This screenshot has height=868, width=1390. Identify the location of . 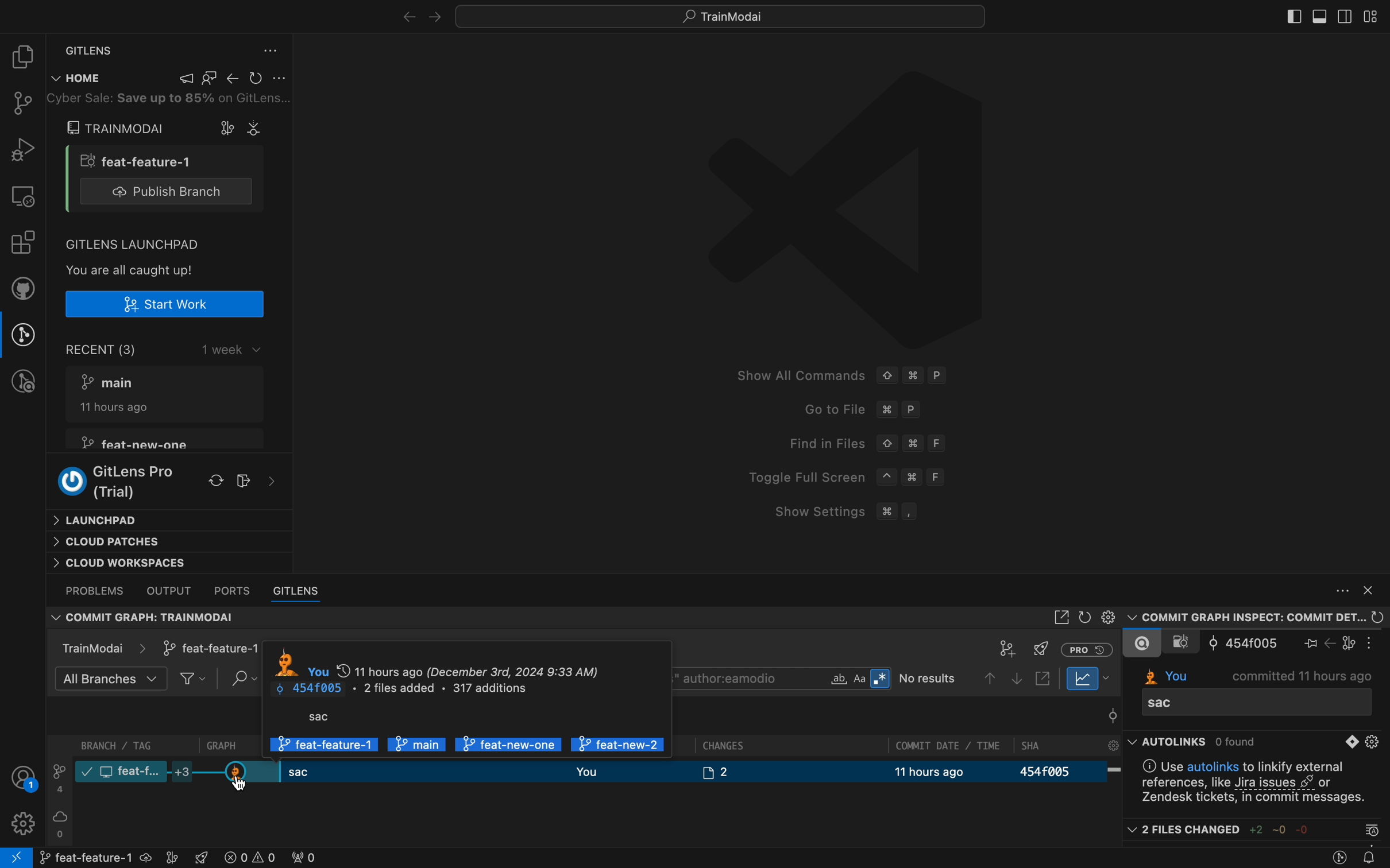
(168, 590).